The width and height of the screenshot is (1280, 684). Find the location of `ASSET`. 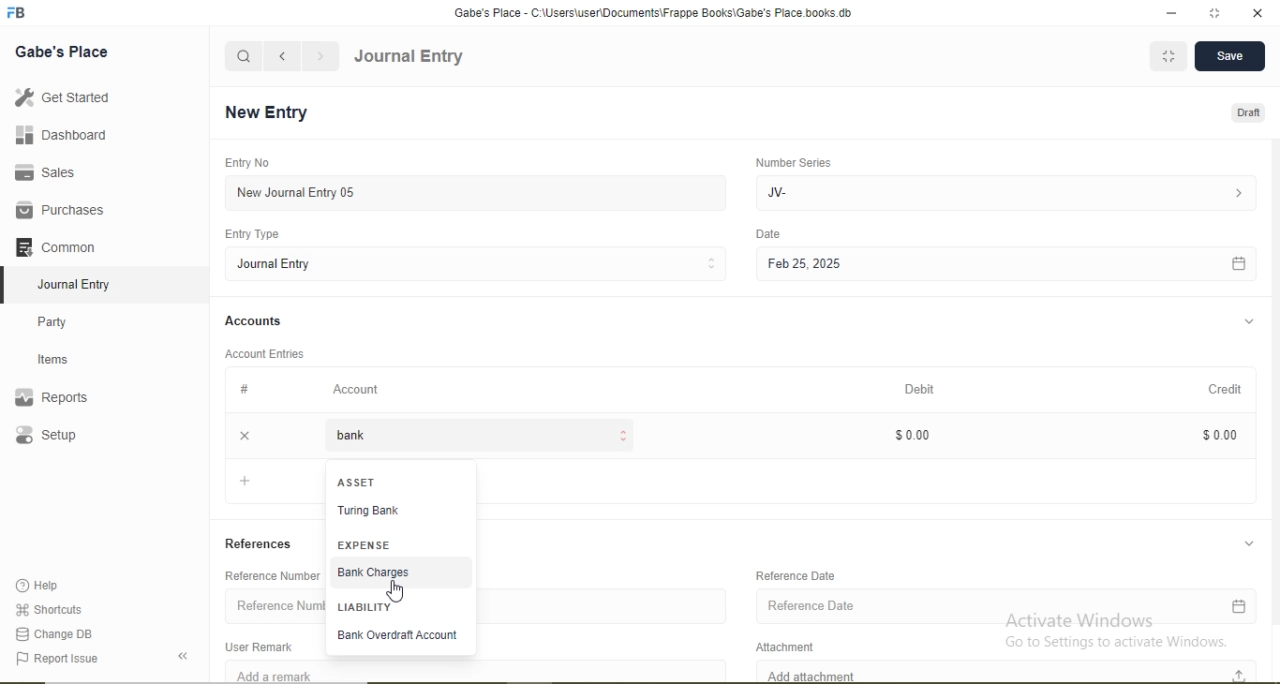

ASSET is located at coordinates (355, 480).